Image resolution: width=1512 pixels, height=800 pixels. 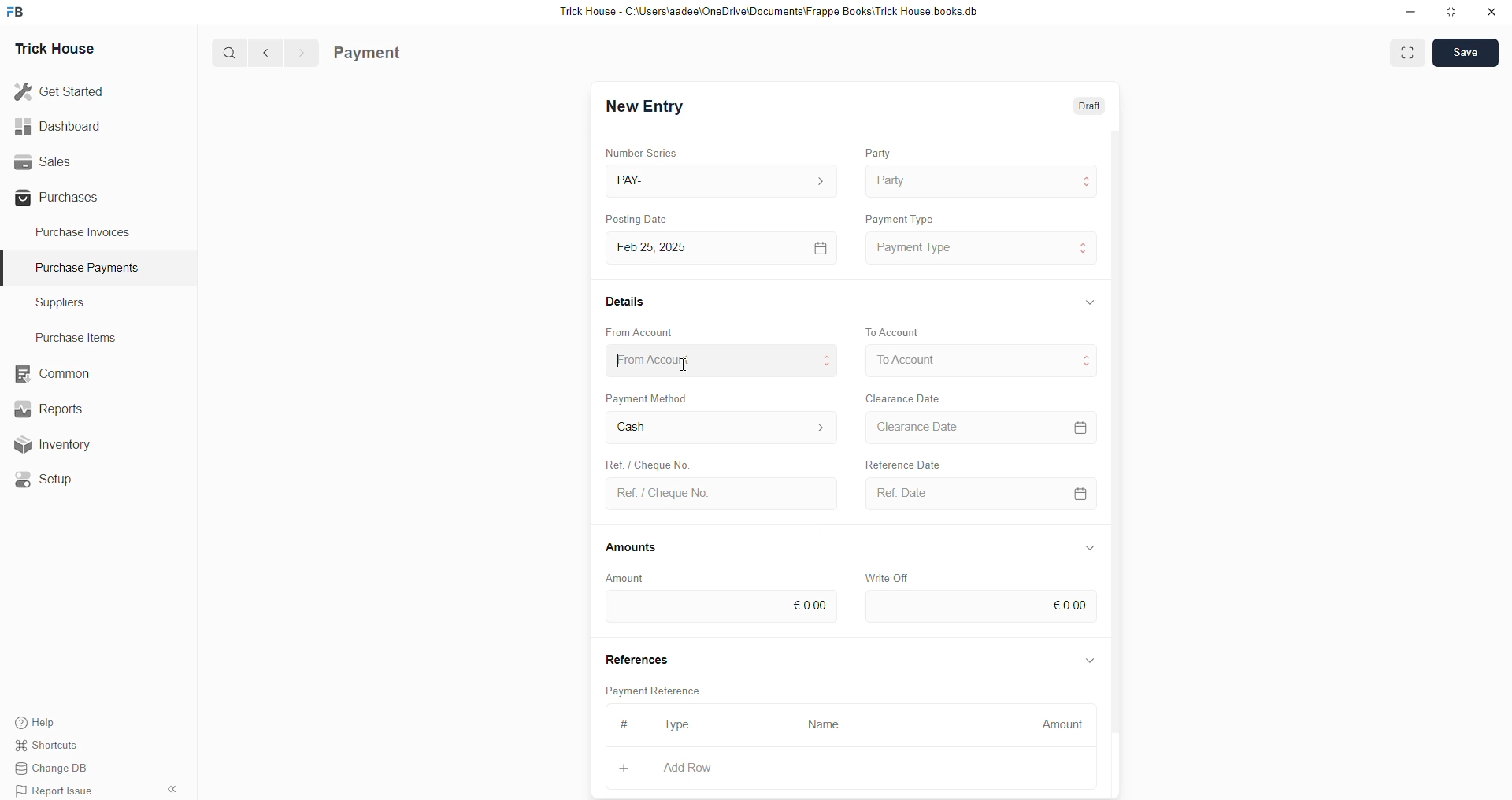 What do you see at coordinates (645, 150) in the screenshot?
I see `Number Series` at bounding box center [645, 150].